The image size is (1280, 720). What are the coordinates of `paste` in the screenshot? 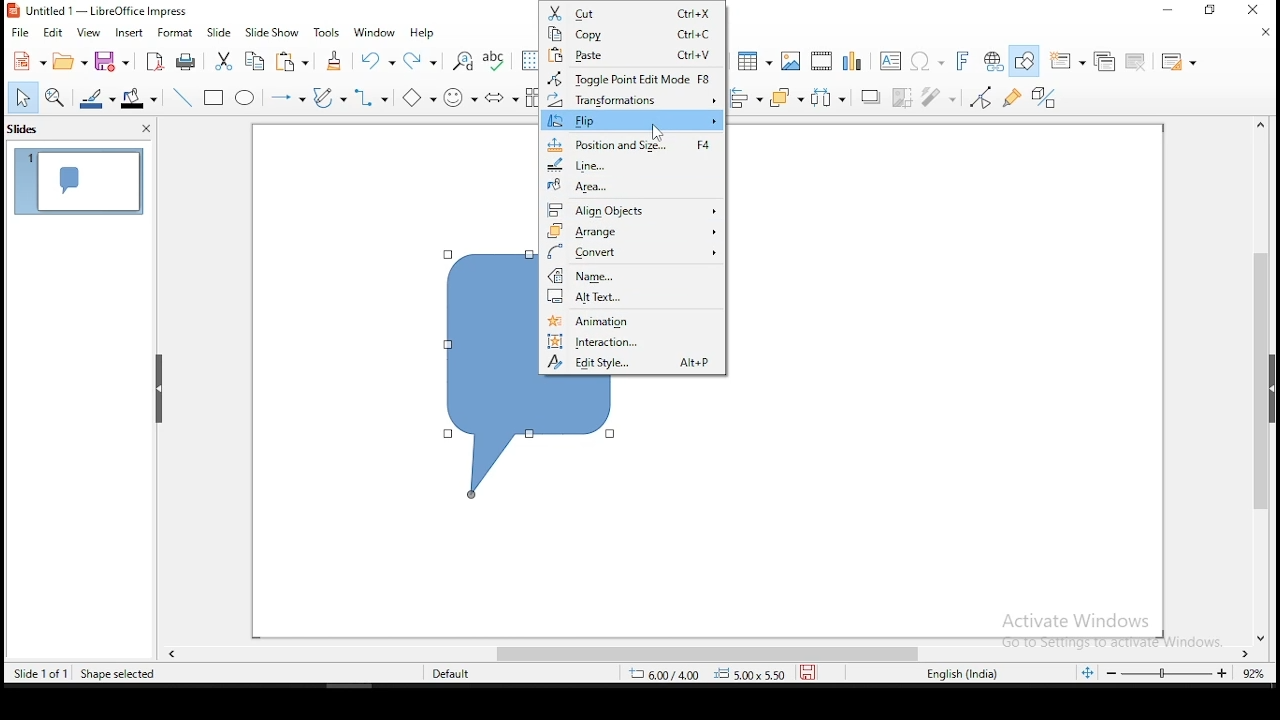 It's located at (293, 62).